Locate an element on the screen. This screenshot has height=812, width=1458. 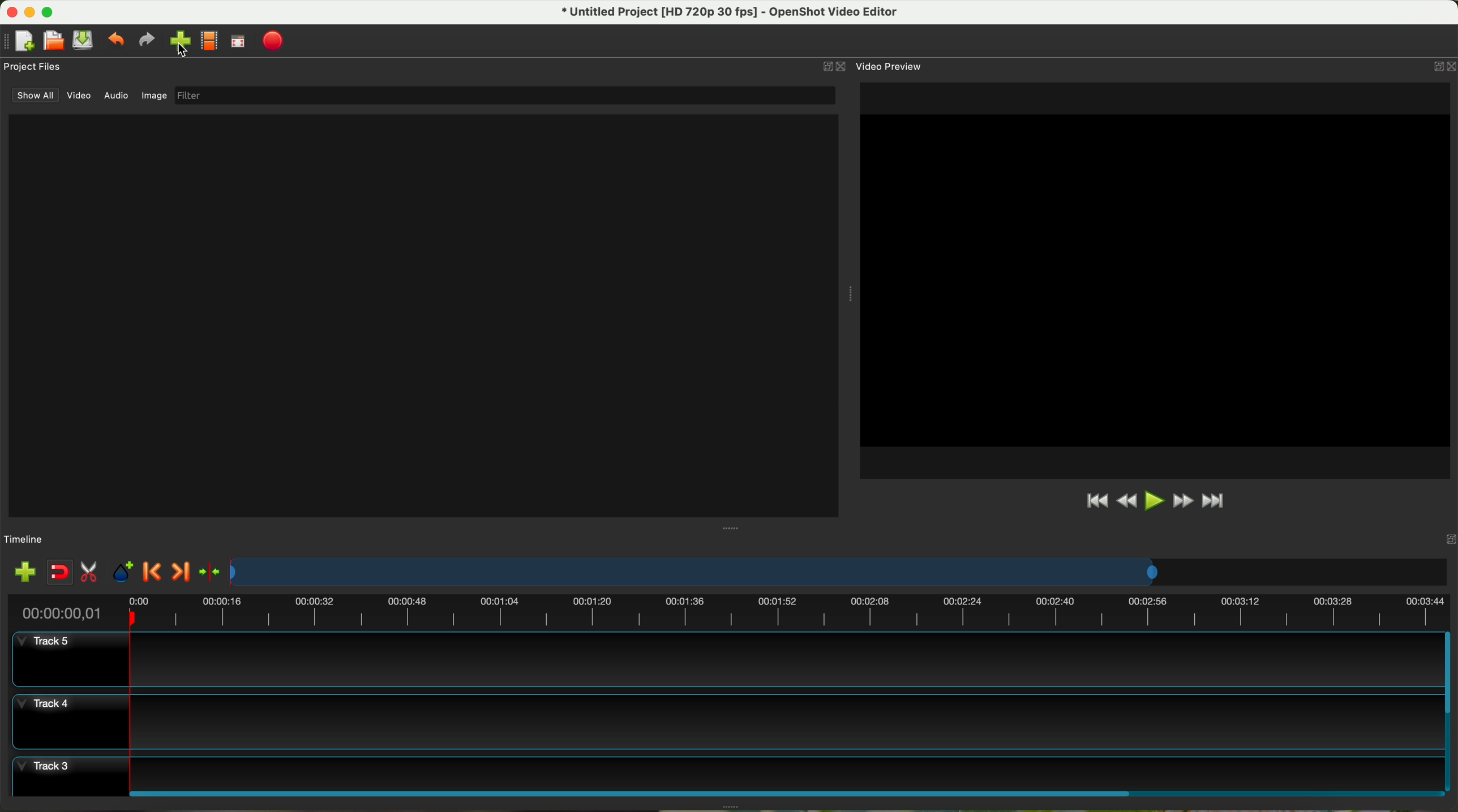
filter is located at coordinates (504, 95).